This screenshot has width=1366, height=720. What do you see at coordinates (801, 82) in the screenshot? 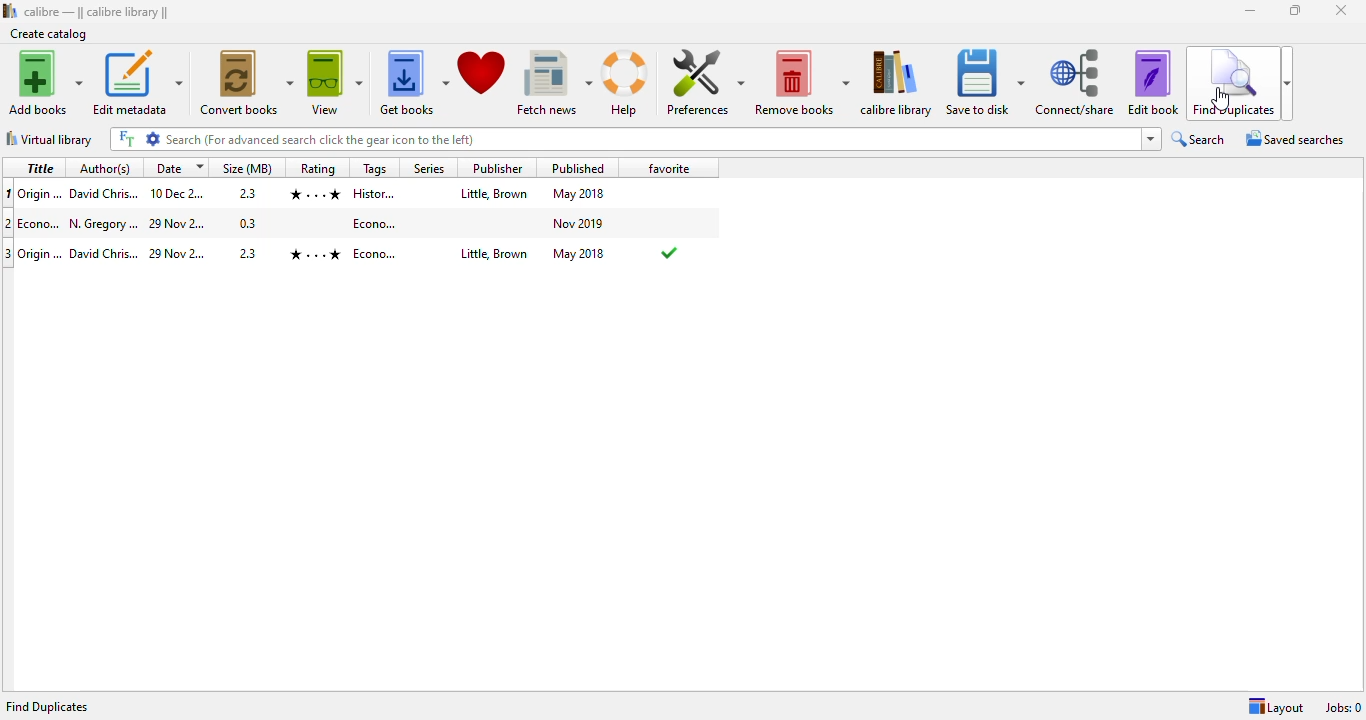
I see `remove books` at bounding box center [801, 82].